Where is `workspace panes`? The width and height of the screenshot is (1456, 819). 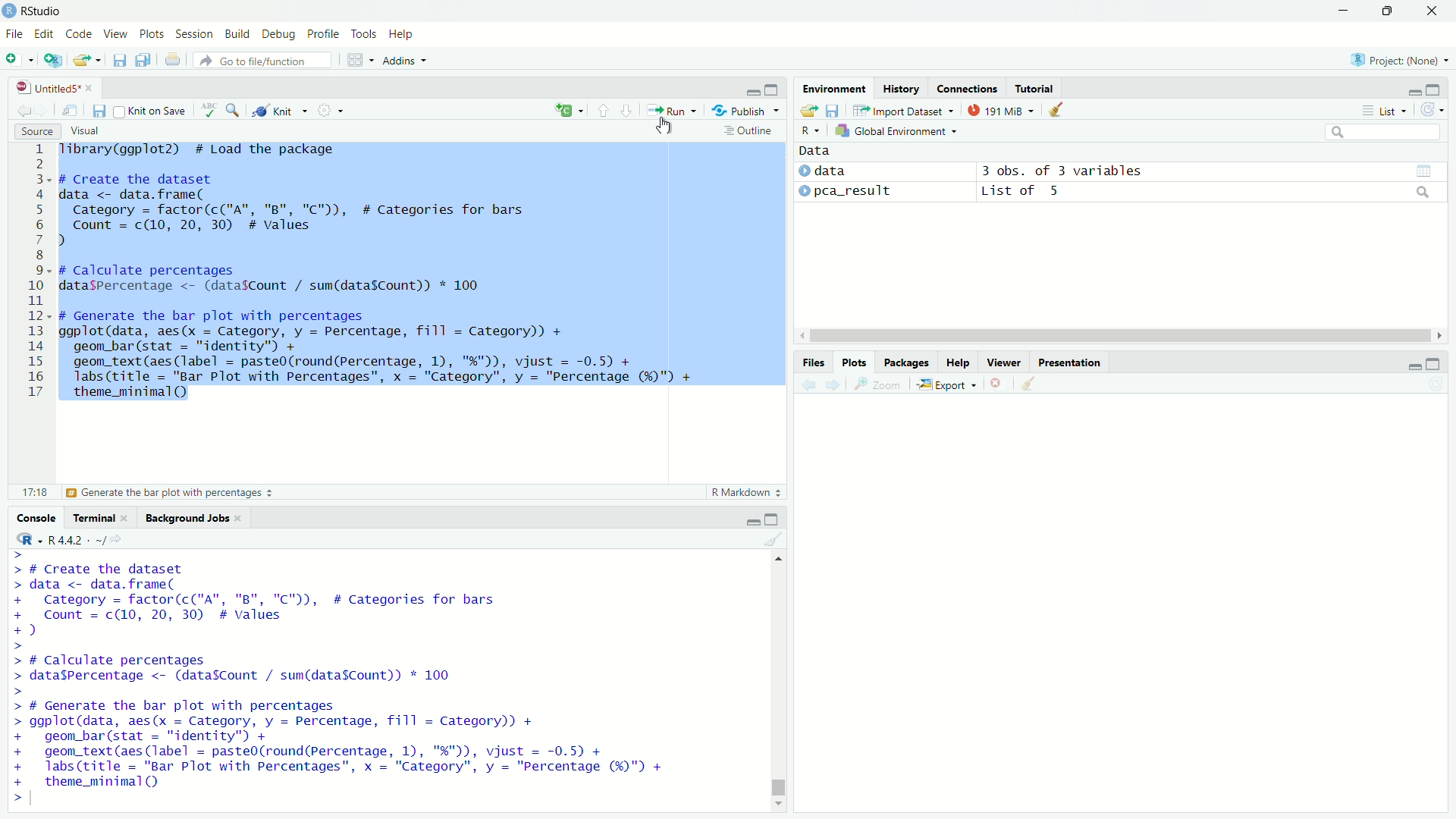 workspace panes is located at coordinates (357, 59).